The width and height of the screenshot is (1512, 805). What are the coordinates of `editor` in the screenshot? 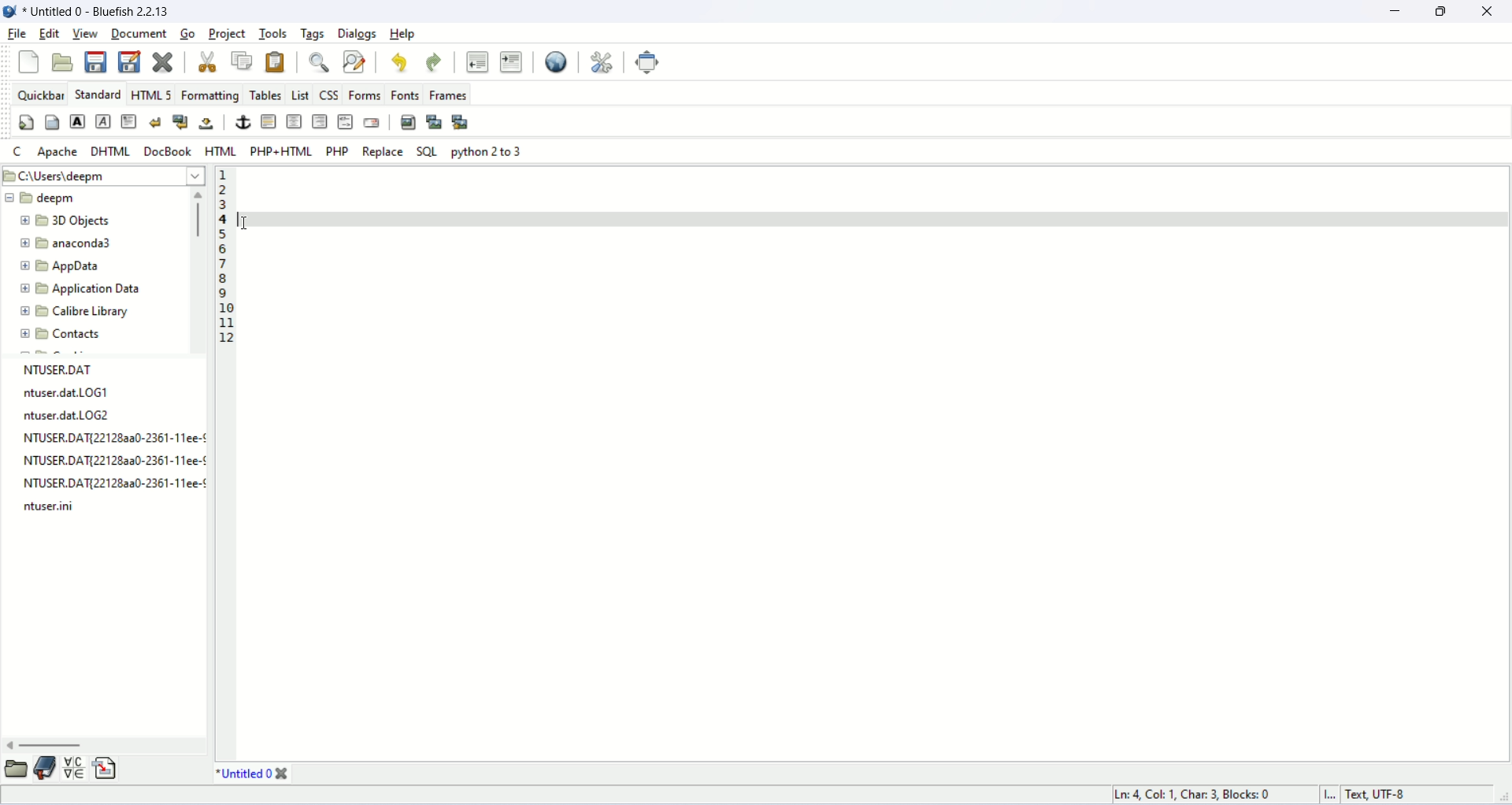 It's located at (875, 463).